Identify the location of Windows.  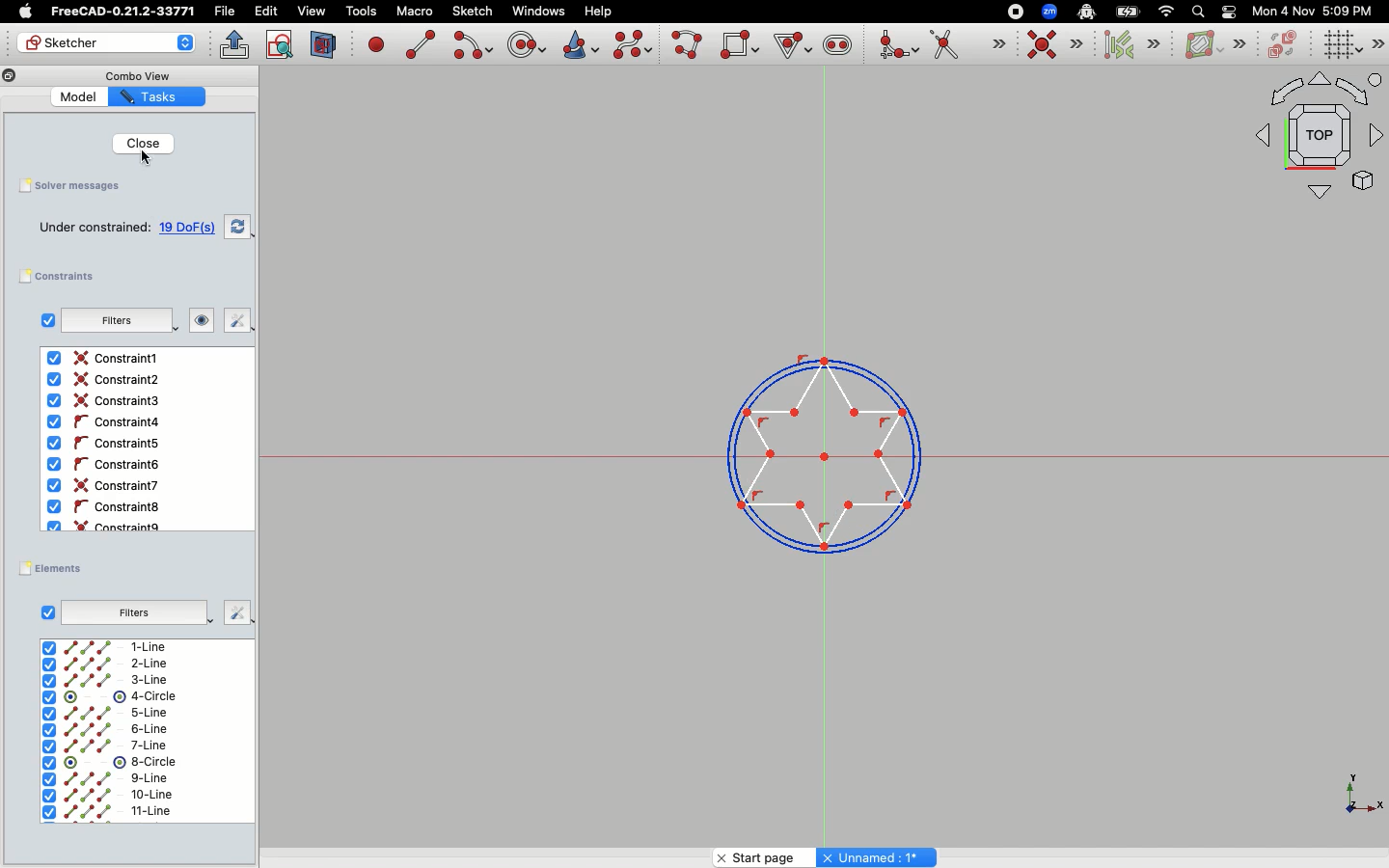
(538, 12).